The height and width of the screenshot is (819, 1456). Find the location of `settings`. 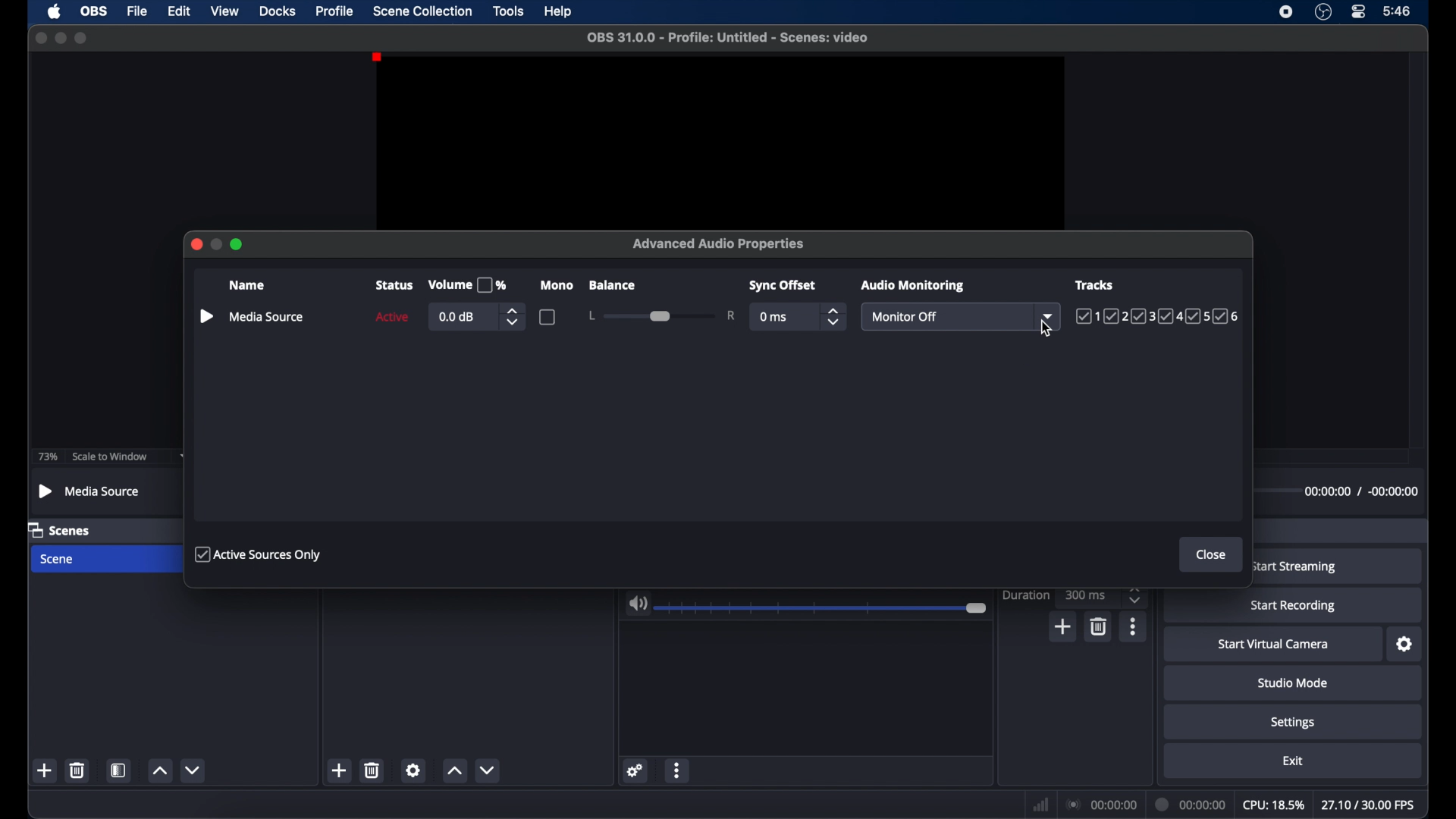

settings is located at coordinates (414, 770).